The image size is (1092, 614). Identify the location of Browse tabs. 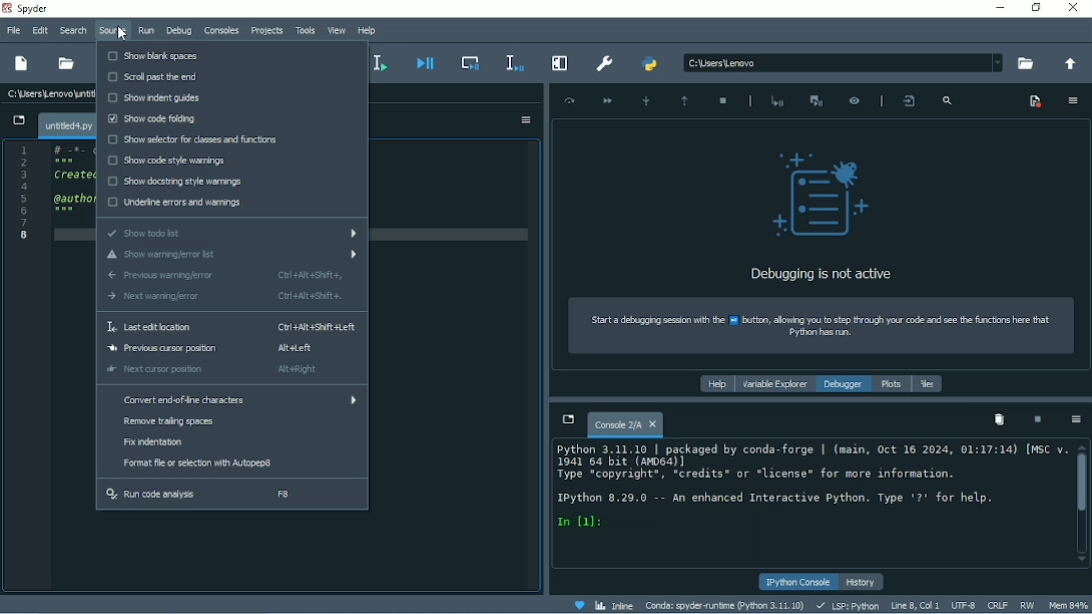
(17, 122).